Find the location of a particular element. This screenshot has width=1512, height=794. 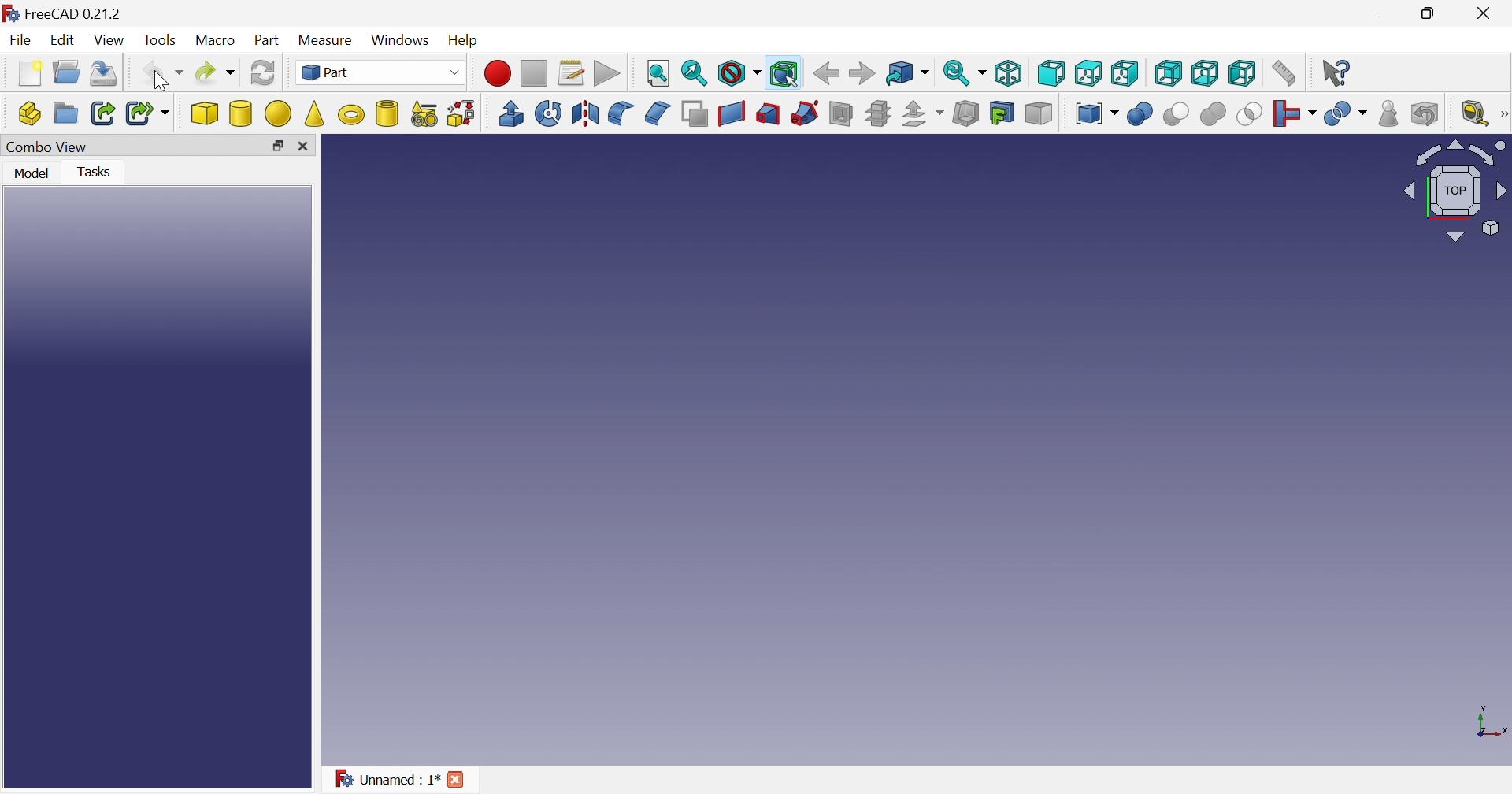

What's this? is located at coordinates (1336, 73).